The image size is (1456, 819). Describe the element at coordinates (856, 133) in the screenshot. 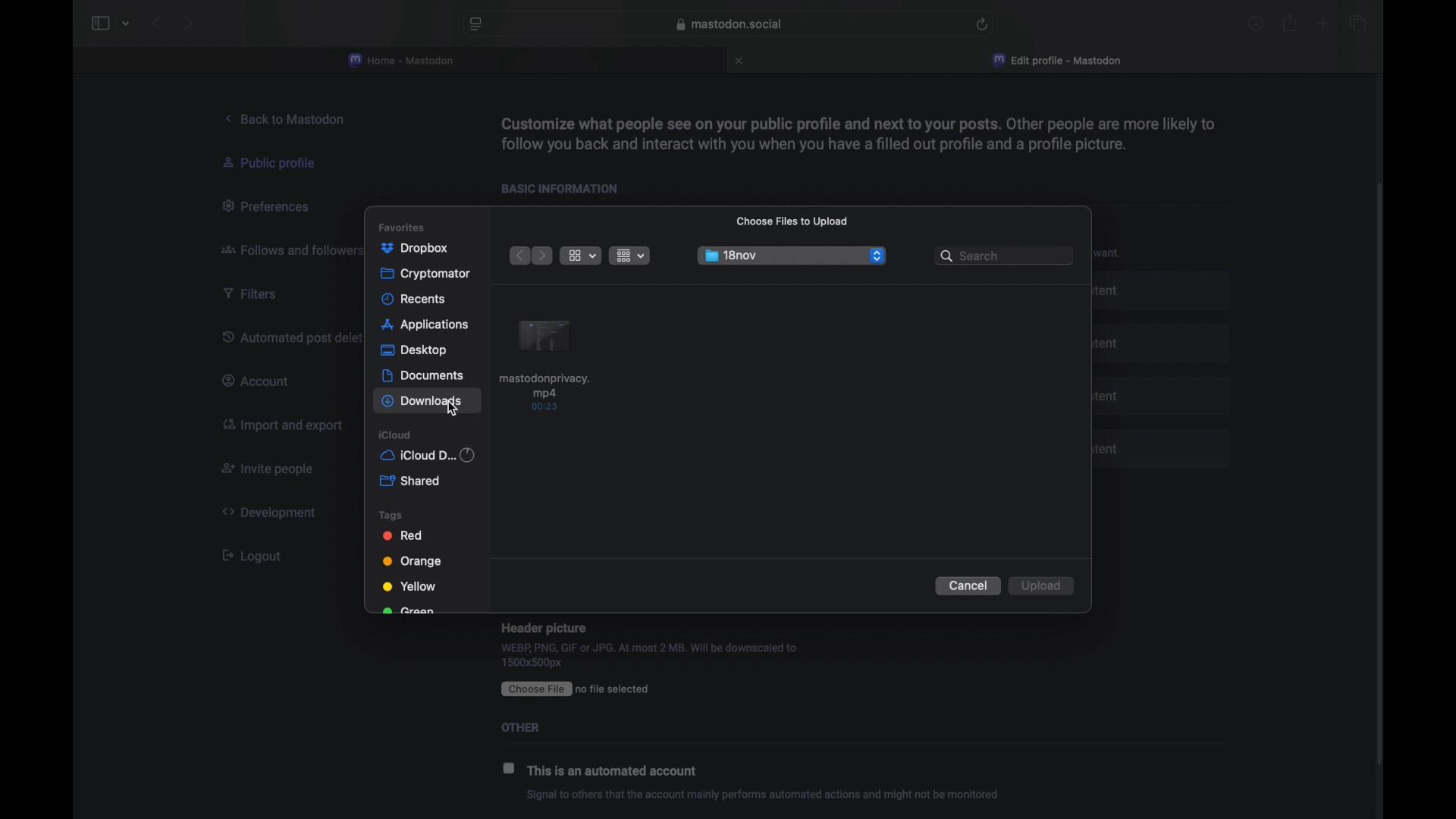

I see `info` at that location.